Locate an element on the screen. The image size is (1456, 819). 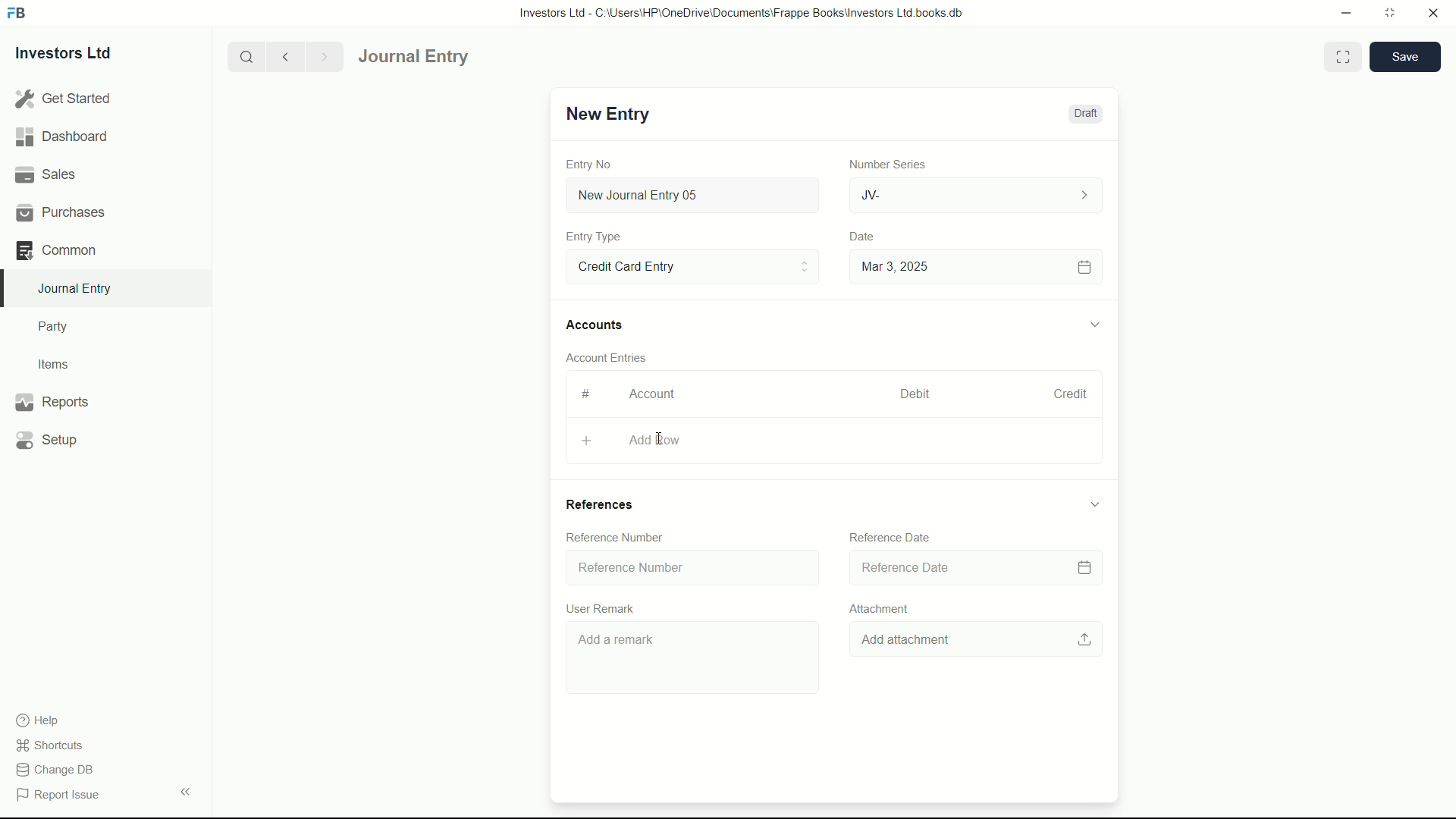
maximize is located at coordinates (1389, 11).